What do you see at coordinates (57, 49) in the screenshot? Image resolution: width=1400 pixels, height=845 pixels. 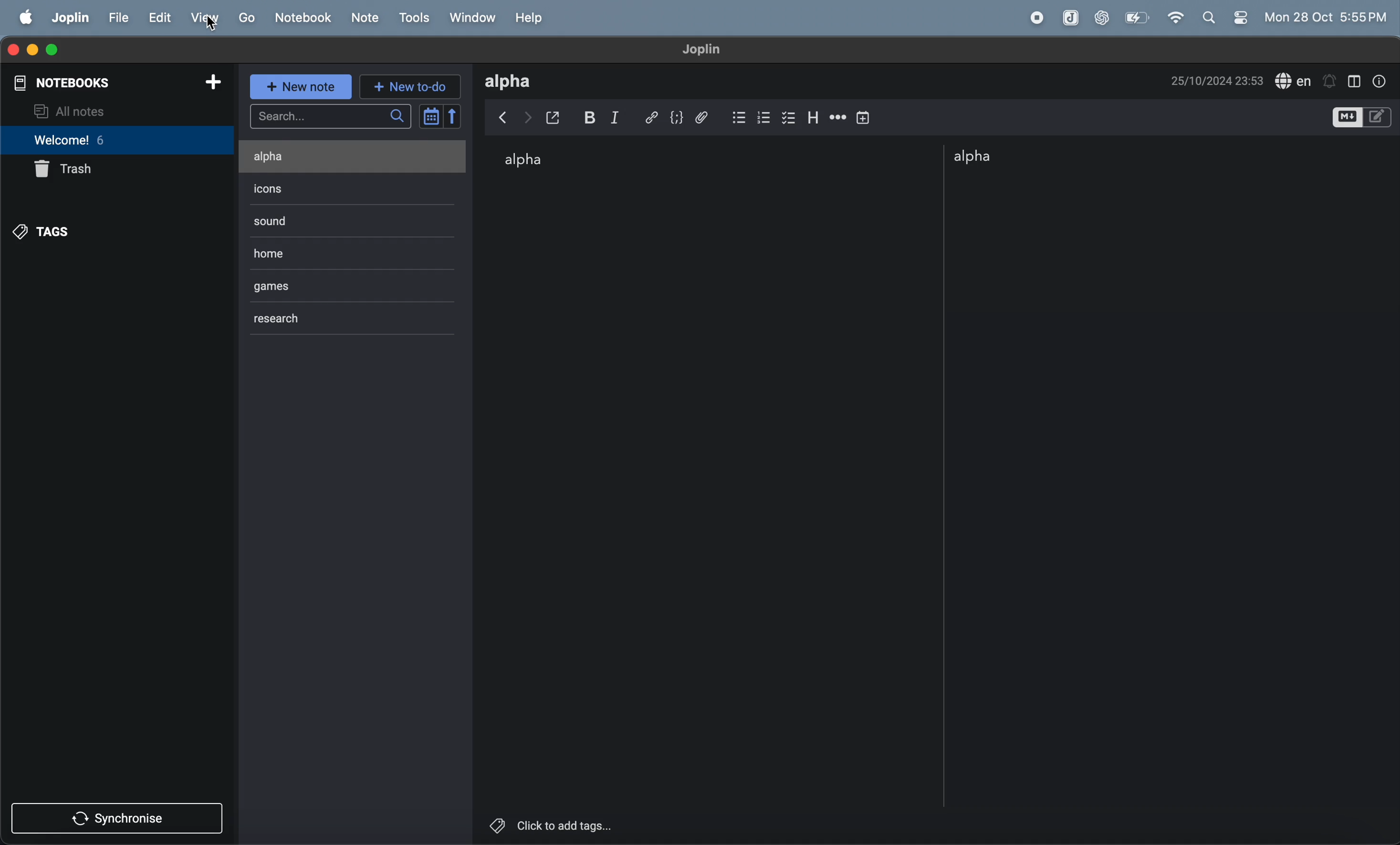 I see `maximize` at bounding box center [57, 49].